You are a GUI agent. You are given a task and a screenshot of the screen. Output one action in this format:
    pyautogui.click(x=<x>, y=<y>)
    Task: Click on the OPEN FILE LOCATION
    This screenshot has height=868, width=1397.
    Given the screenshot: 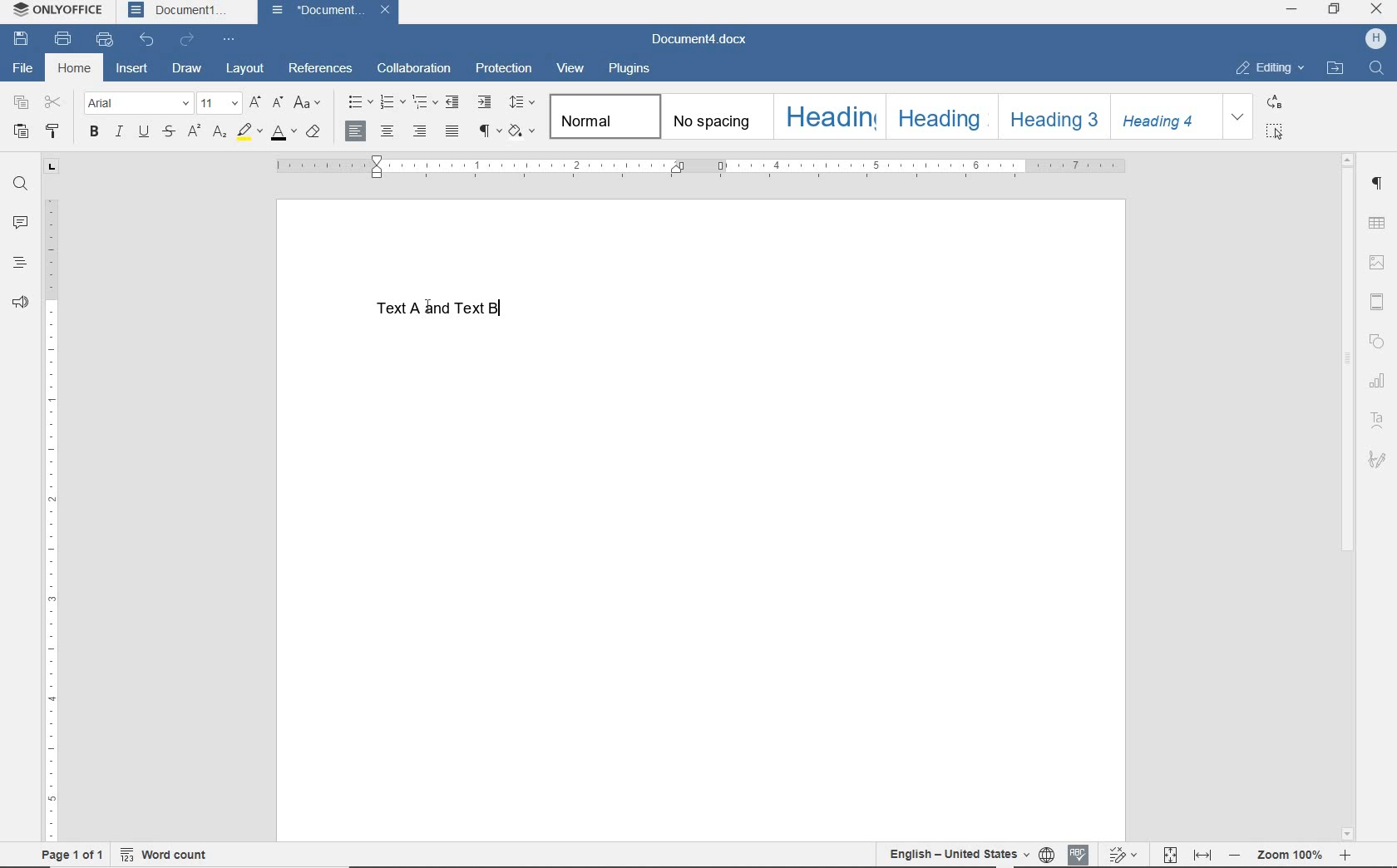 What is the action you would take?
    pyautogui.click(x=1336, y=68)
    